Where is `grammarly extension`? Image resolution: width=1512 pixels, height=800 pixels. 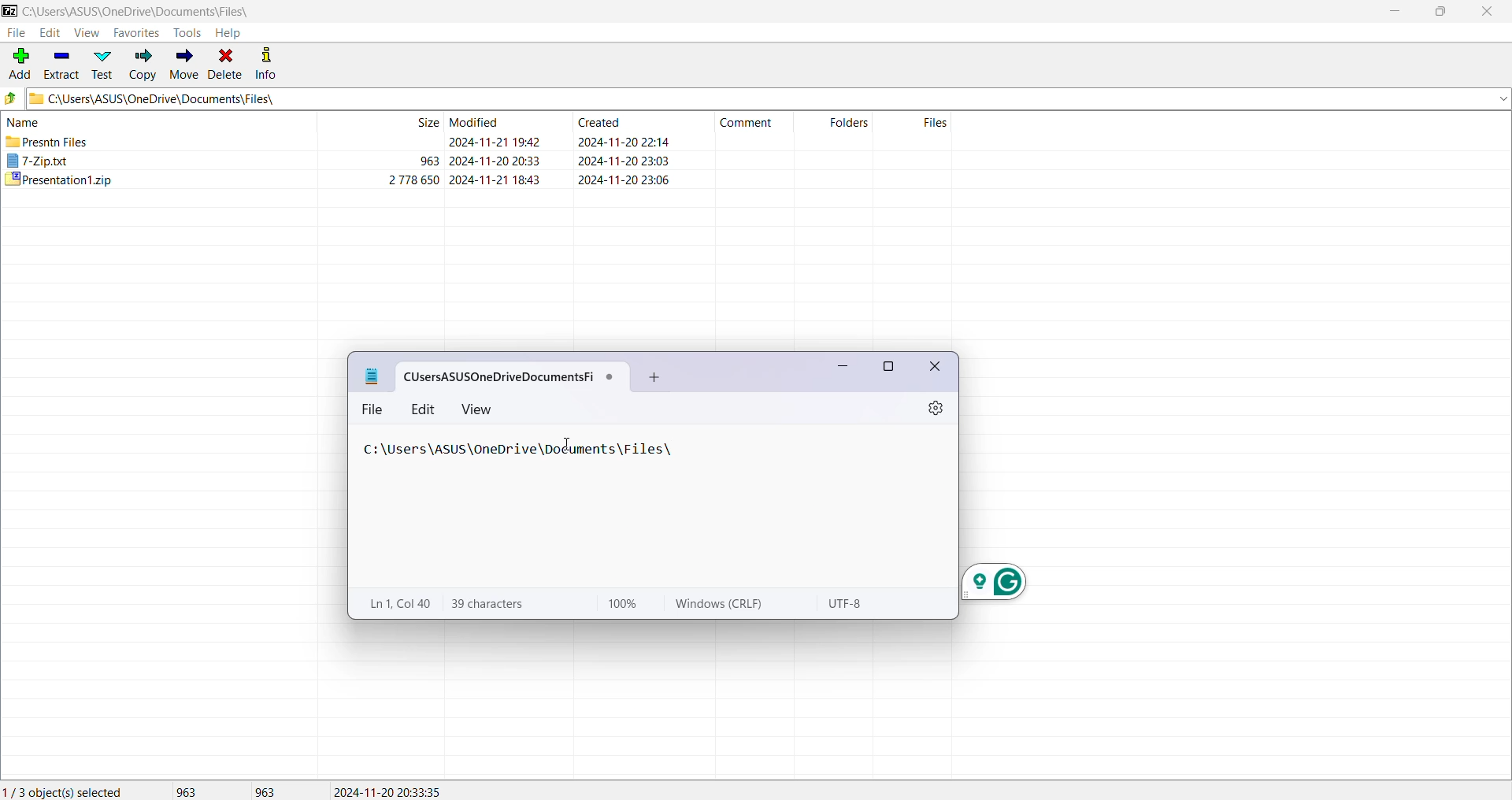
grammarly extension is located at coordinates (991, 582).